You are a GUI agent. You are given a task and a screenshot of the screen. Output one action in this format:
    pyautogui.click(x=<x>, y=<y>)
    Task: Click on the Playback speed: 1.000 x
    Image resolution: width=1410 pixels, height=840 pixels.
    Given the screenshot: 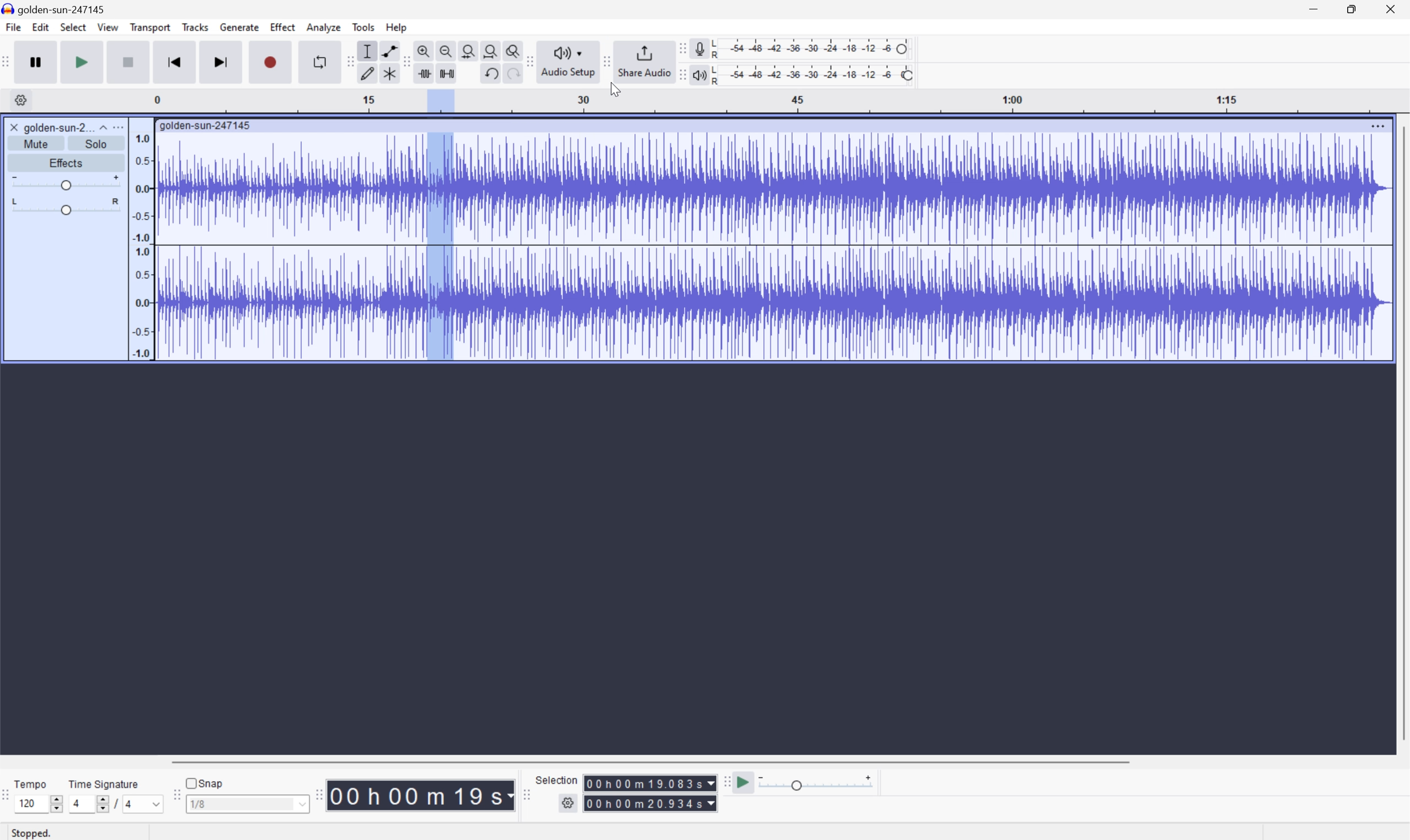 What is the action you would take?
    pyautogui.click(x=818, y=783)
    